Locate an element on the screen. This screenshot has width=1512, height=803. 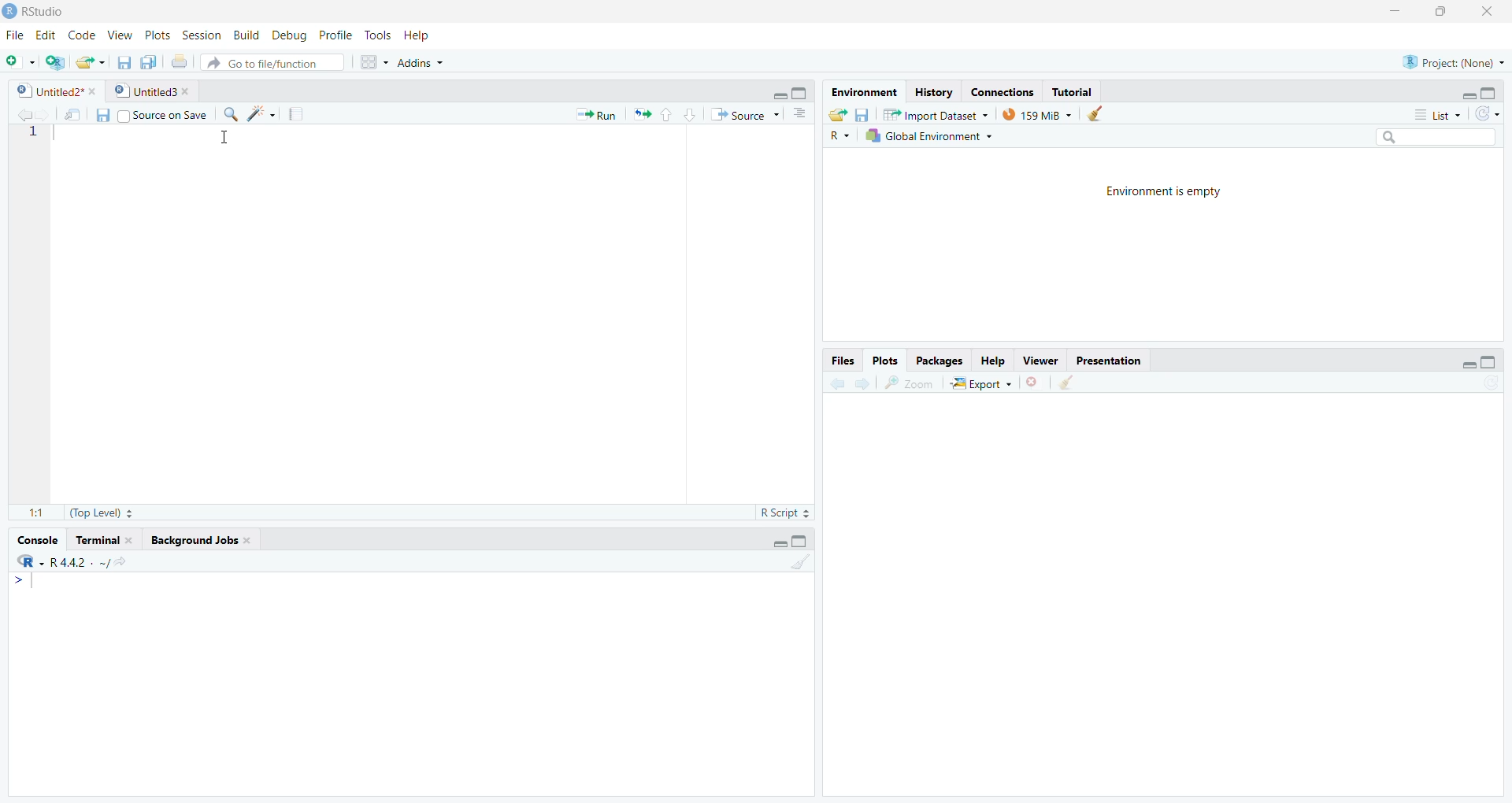
Print is located at coordinates (180, 62).